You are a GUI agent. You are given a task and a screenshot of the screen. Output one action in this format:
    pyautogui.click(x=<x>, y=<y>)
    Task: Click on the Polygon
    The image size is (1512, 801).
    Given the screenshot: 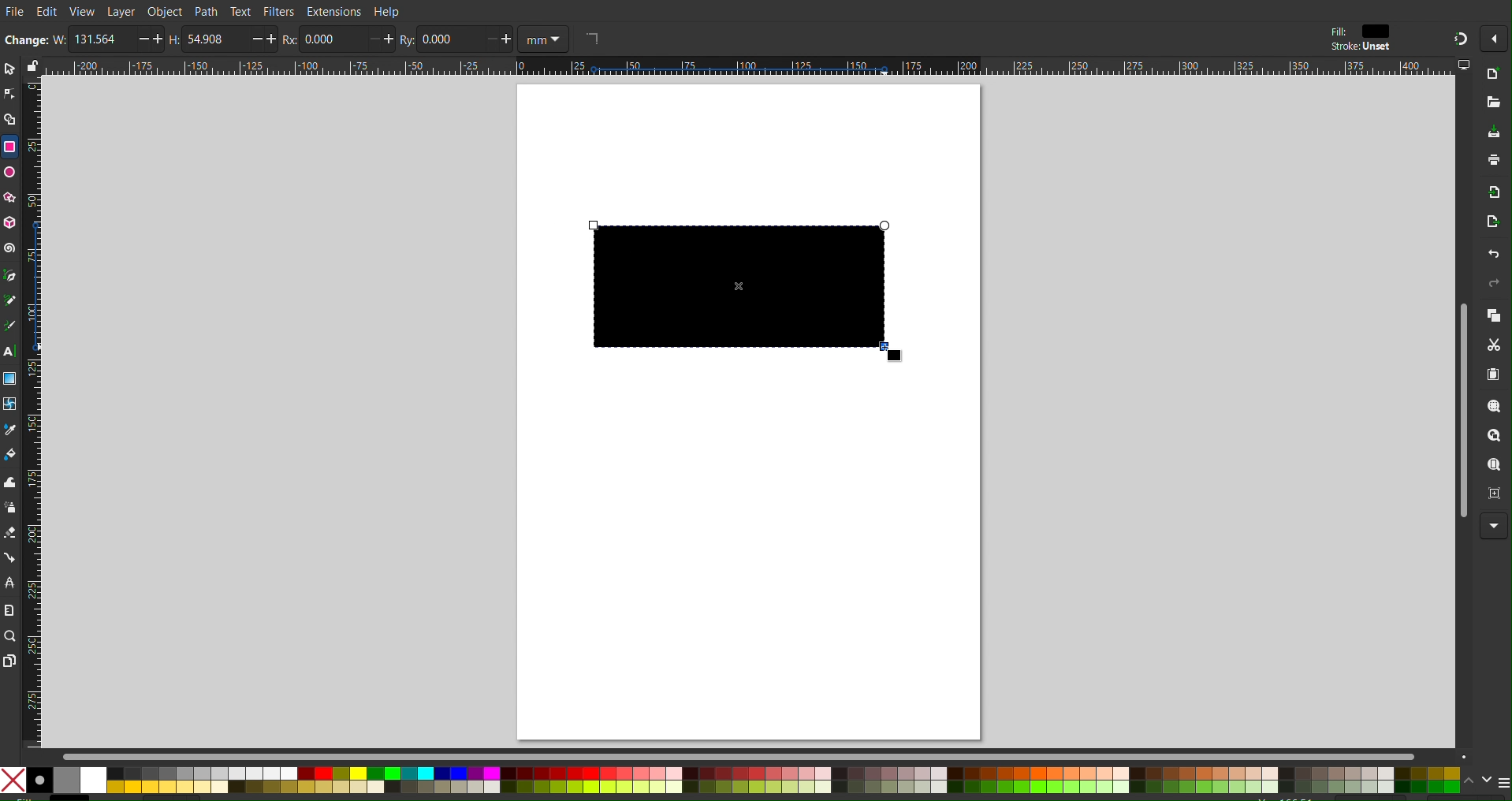 What is the action you would take?
    pyautogui.click(x=9, y=196)
    